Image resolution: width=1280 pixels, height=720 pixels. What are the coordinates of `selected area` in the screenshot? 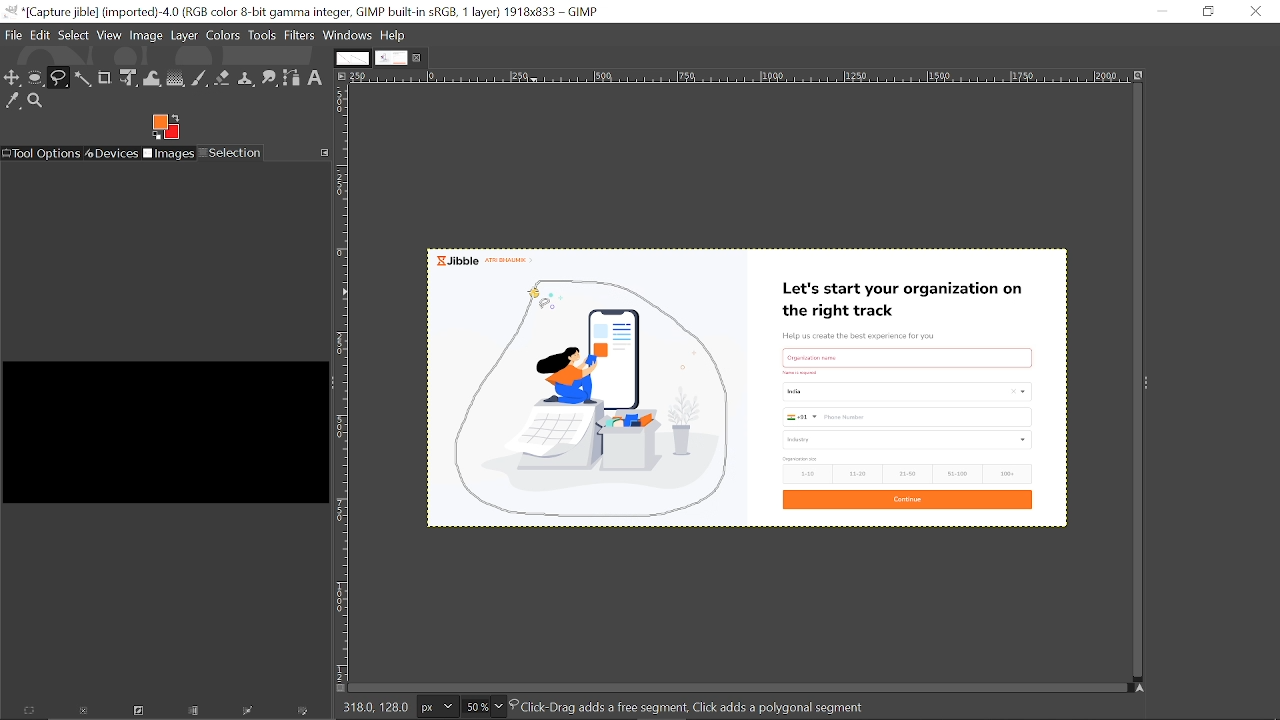 It's located at (594, 397).